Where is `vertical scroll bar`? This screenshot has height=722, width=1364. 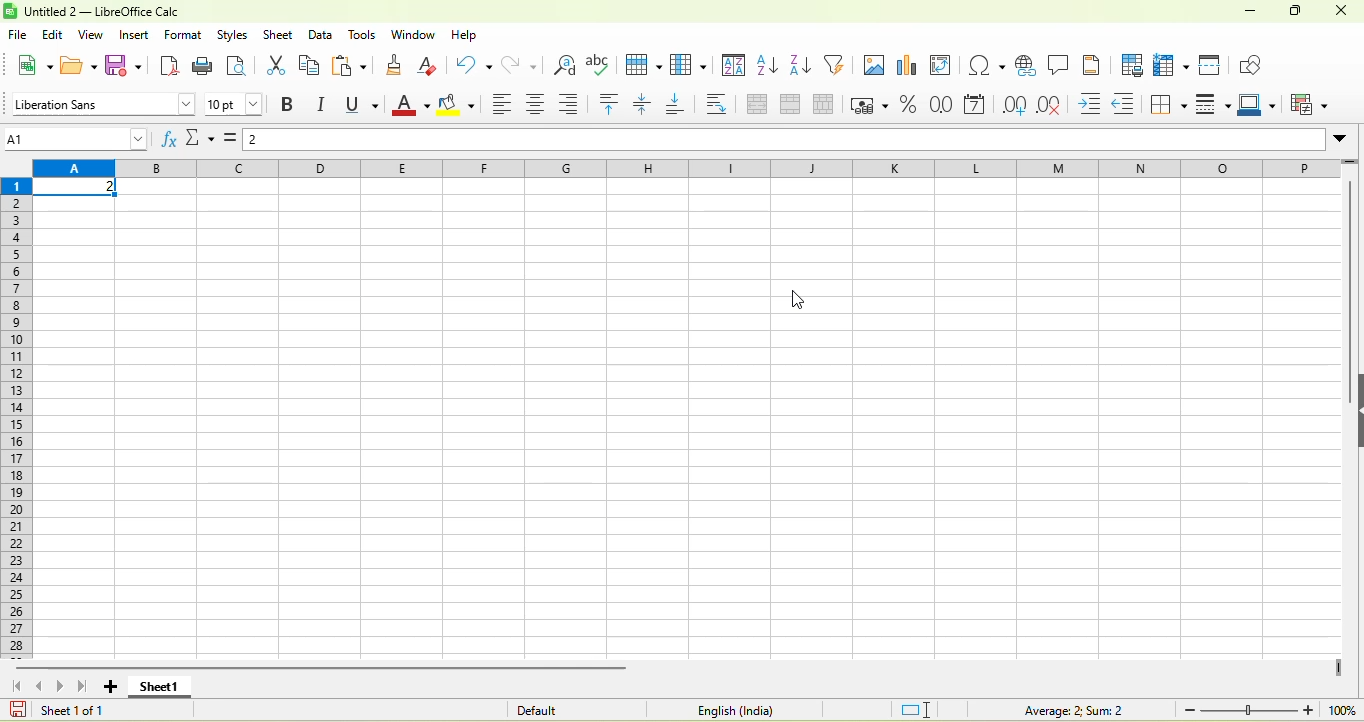 vertical scroll bar is located at coordinates (1354, 274).